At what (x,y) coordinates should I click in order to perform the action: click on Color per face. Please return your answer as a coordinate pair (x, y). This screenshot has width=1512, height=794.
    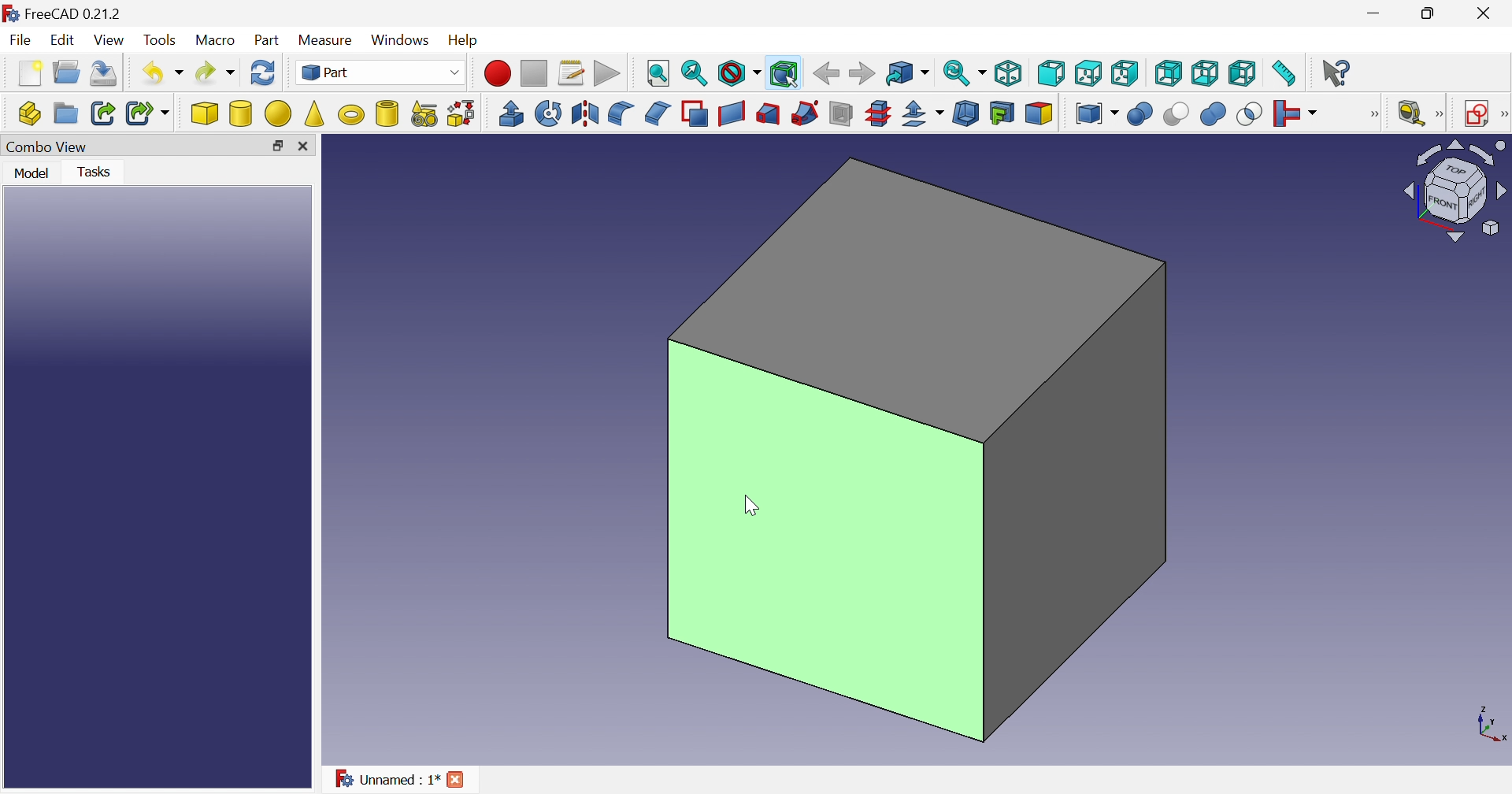
    Looking at the image, I should click on (1037, 113).